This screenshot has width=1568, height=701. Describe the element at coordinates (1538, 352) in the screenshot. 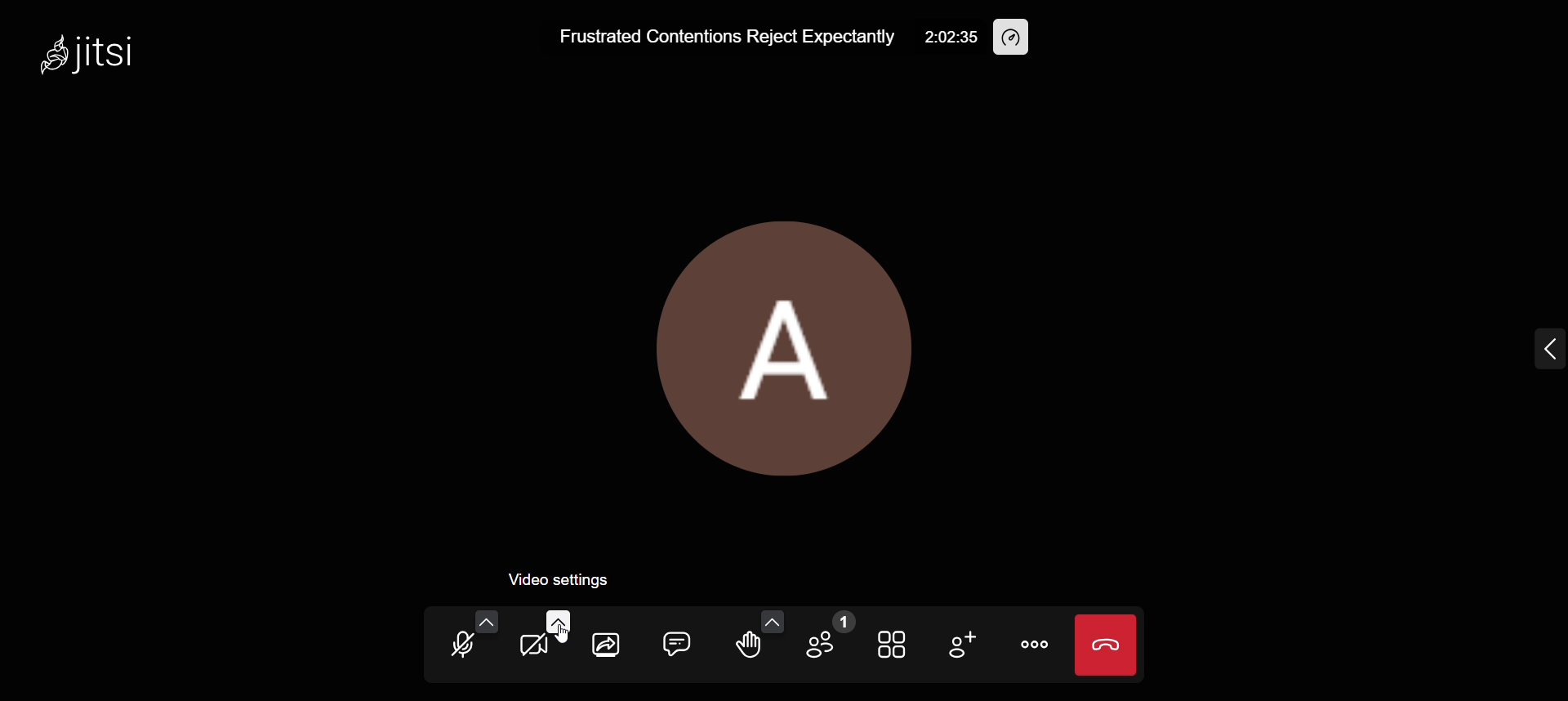

I see `expand` at that location.